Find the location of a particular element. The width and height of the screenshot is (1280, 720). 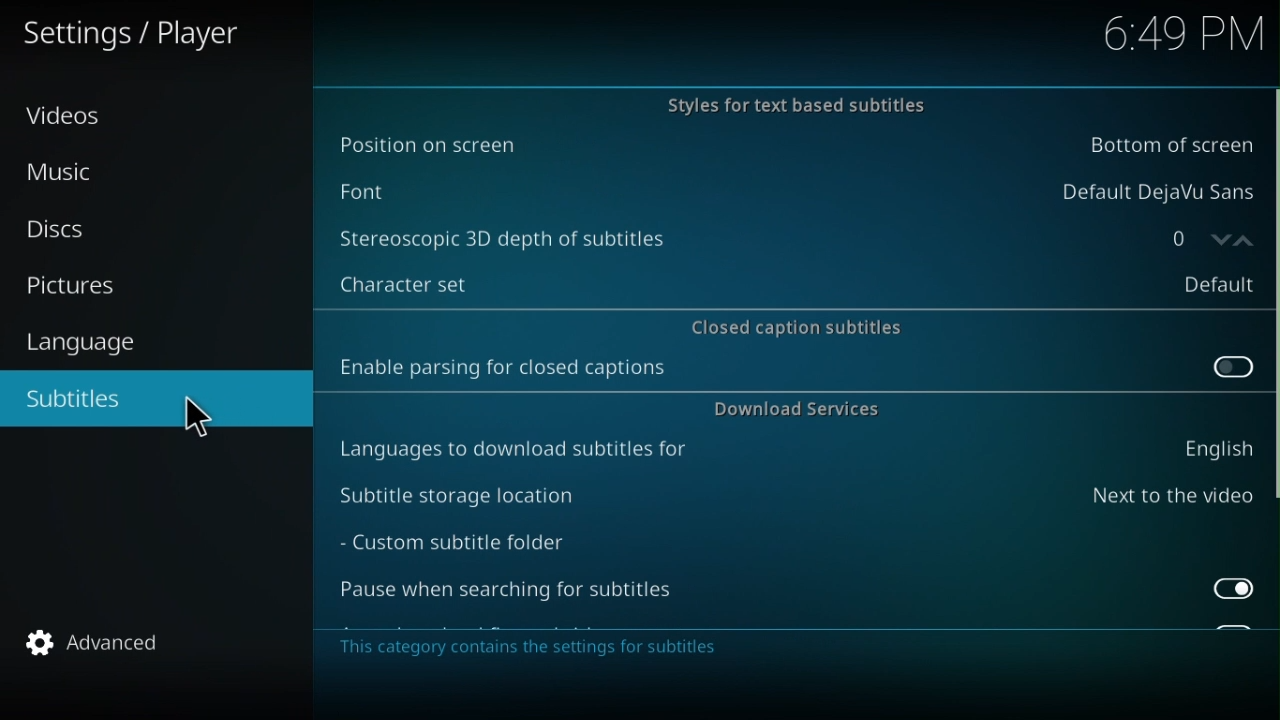

Position on the screen is located at coordinates (787, 146).